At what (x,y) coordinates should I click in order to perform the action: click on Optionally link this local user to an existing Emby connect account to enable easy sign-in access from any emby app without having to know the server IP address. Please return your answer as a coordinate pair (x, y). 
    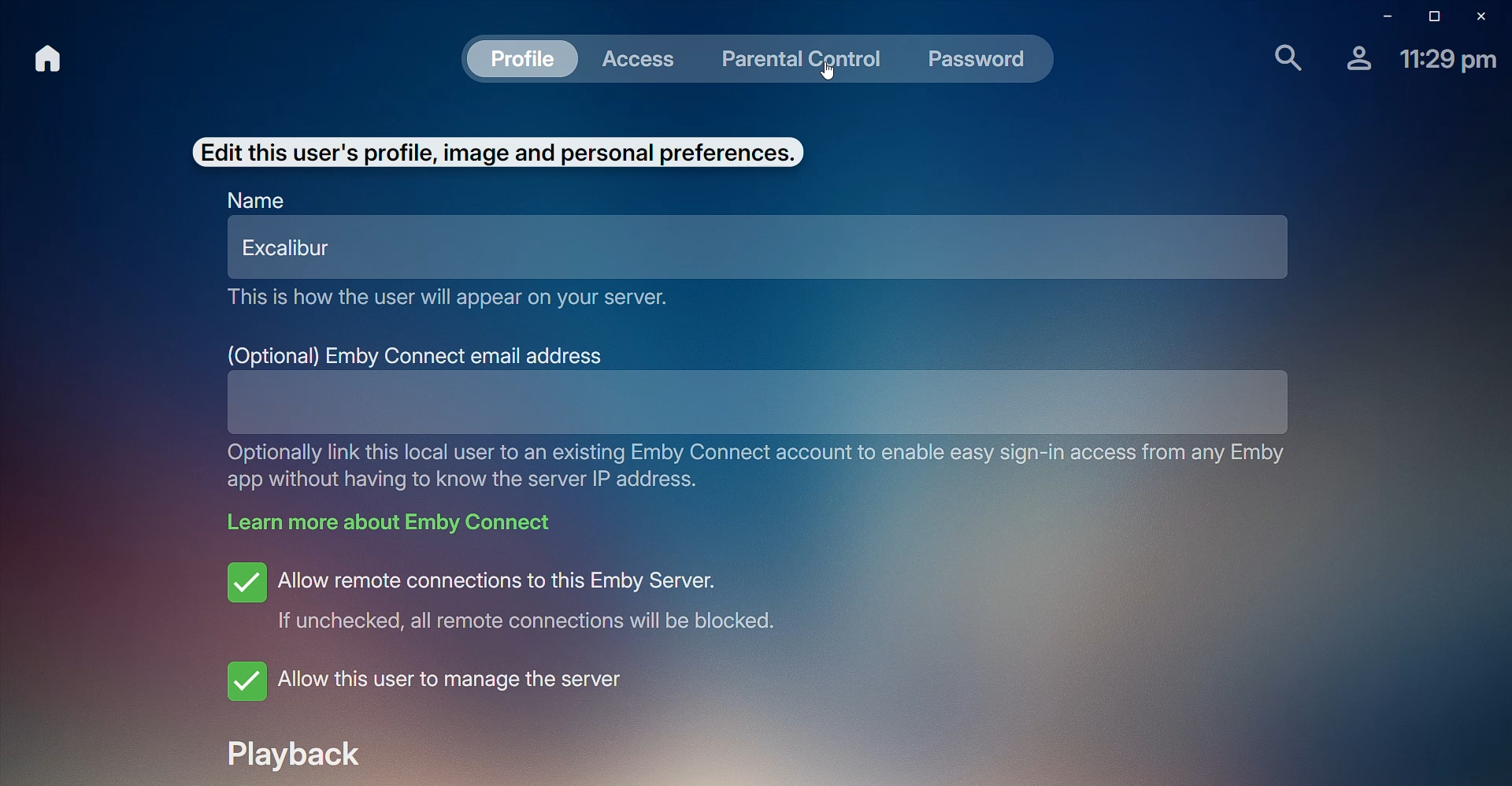
    Looking at the image, I should click on (758, 469).